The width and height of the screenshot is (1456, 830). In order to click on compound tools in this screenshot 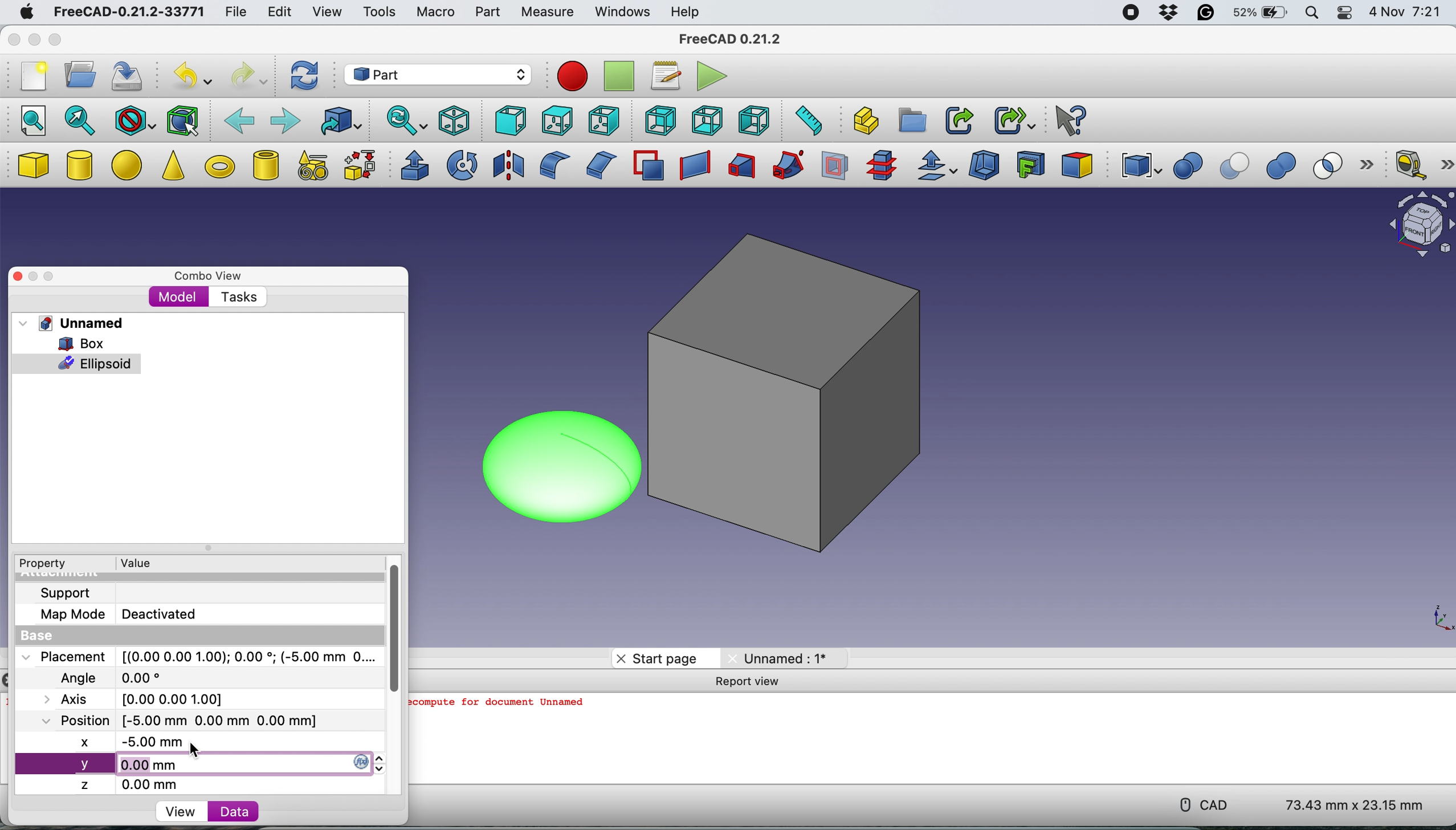, I will do `click(1139, 166)`.